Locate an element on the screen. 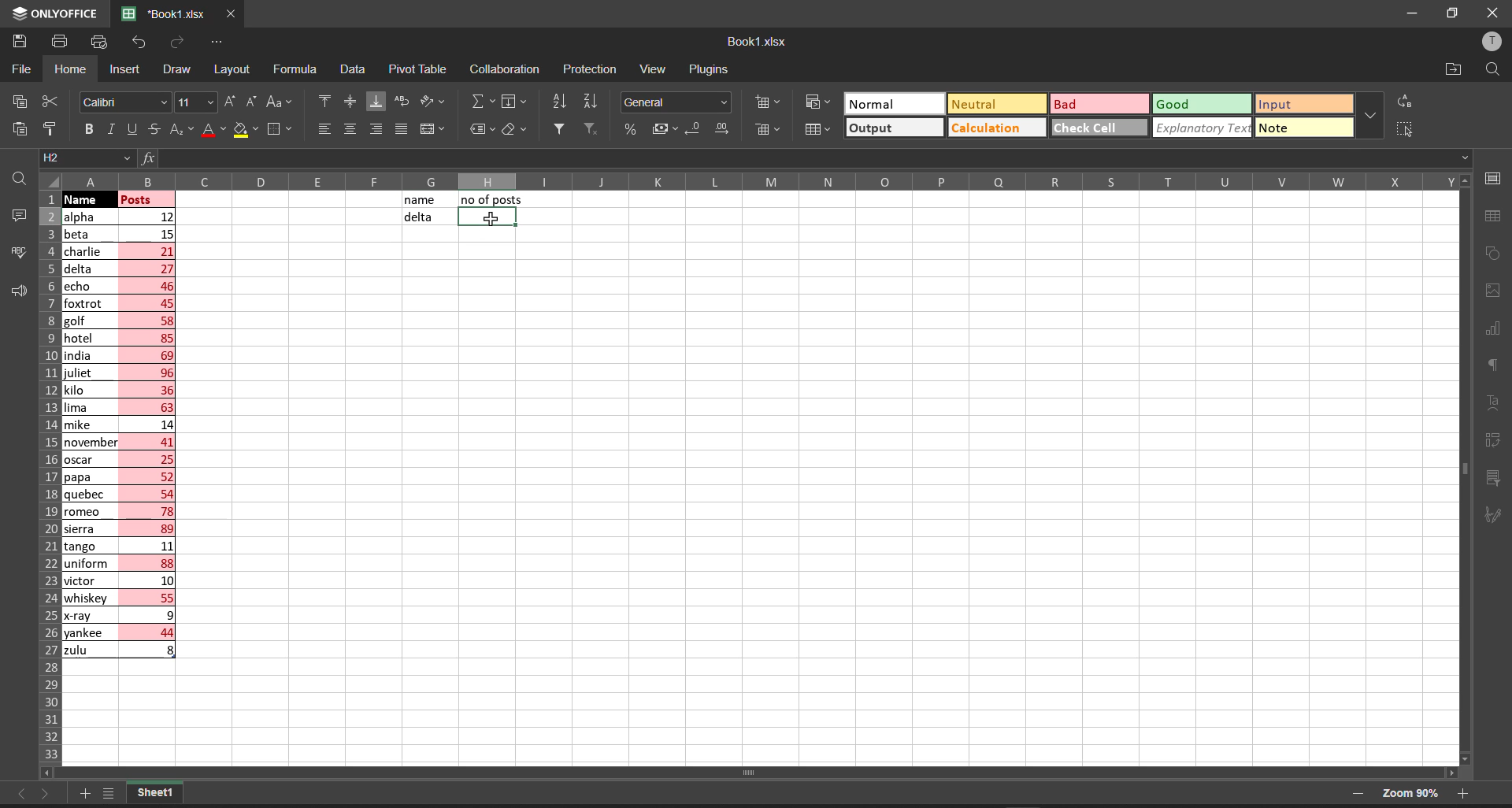 The image size is (1512, 808). 'Book1.xlsx is located at coordinates (160, 14).